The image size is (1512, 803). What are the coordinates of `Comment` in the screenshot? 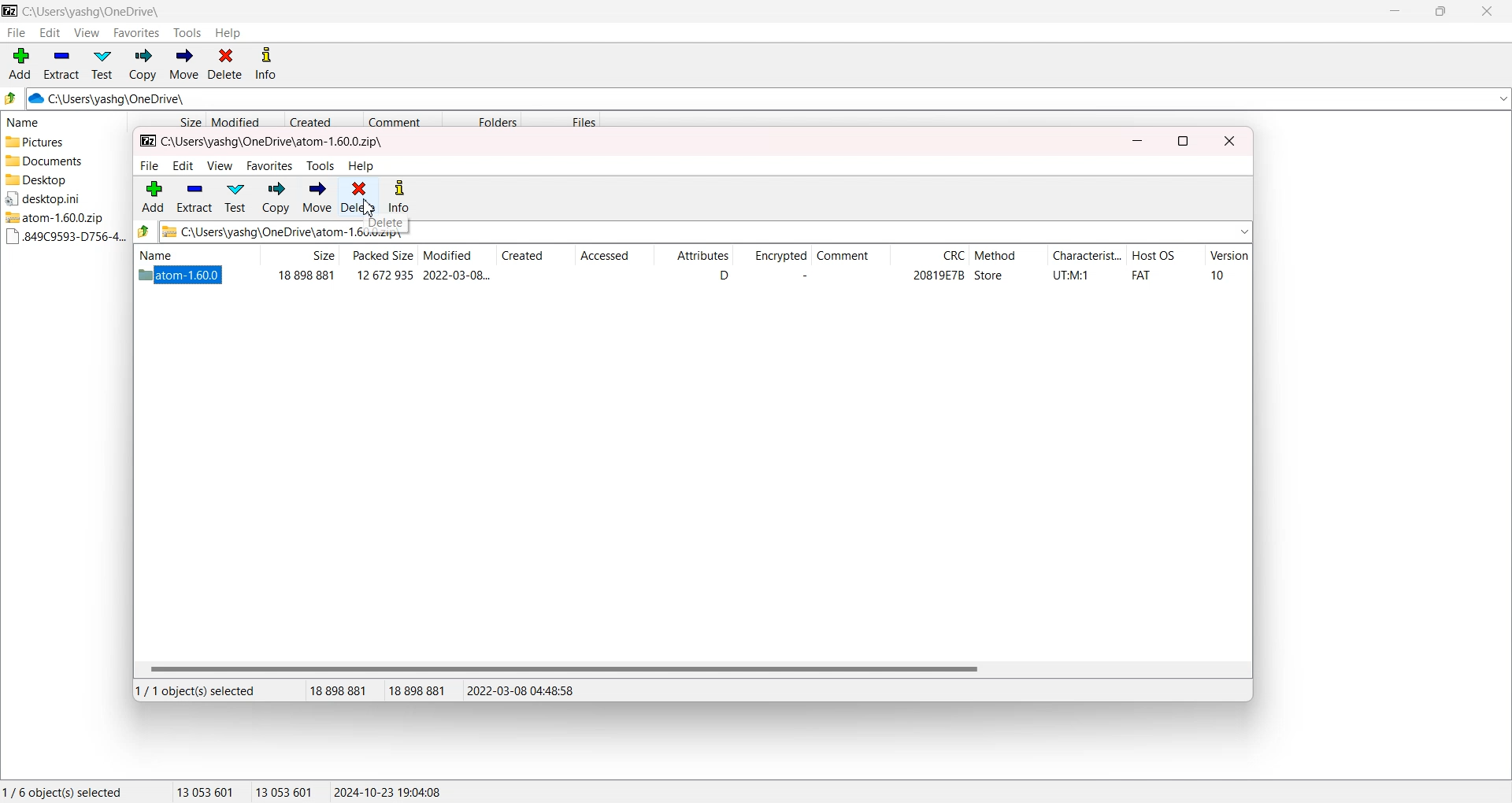 It's located at (402, 120).